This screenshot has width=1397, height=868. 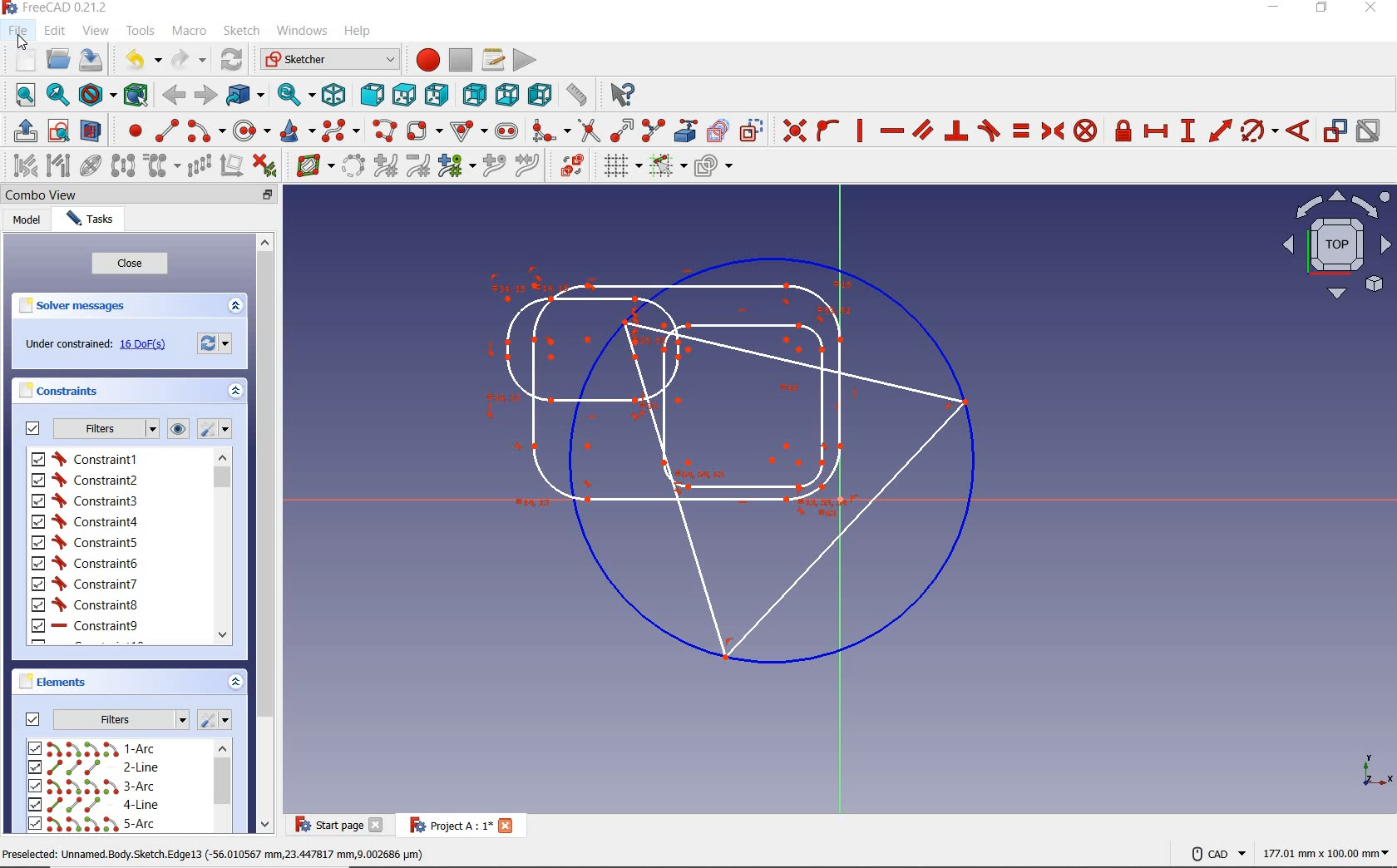 I want to click on create rectangle, so click(x=423, y=130).